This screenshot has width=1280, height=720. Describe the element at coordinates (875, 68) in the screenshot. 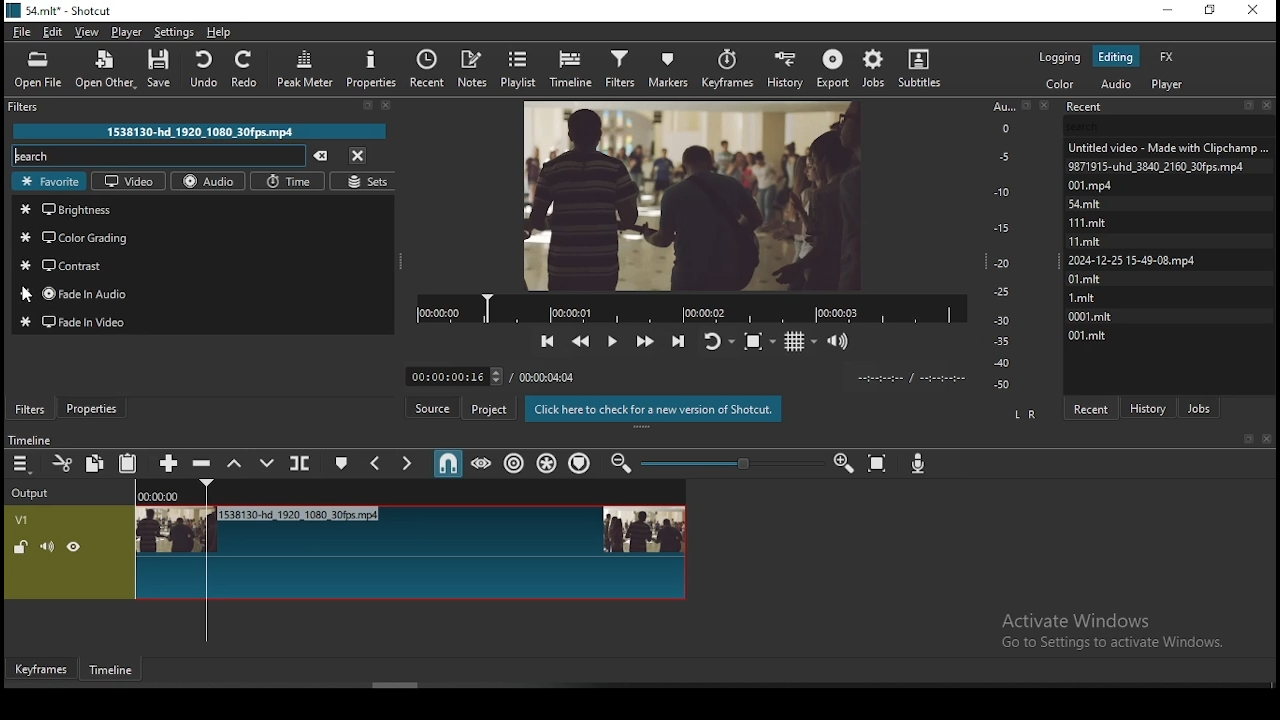

I see `jobs` at that location.